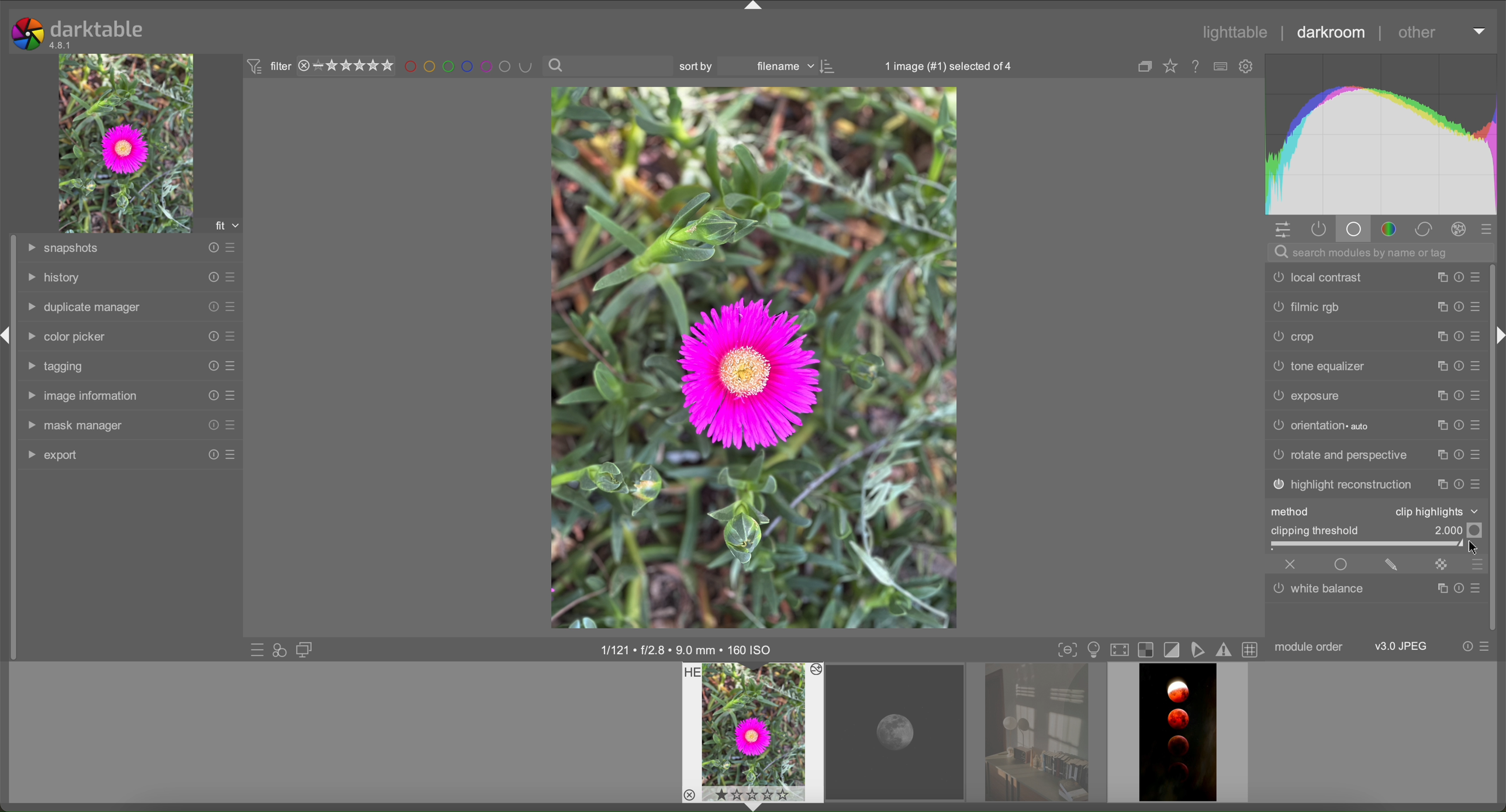  What do you see at coordinates (256, 649) in the screenshot?
I see `quick access to presets` at bounding box center [256, 649].